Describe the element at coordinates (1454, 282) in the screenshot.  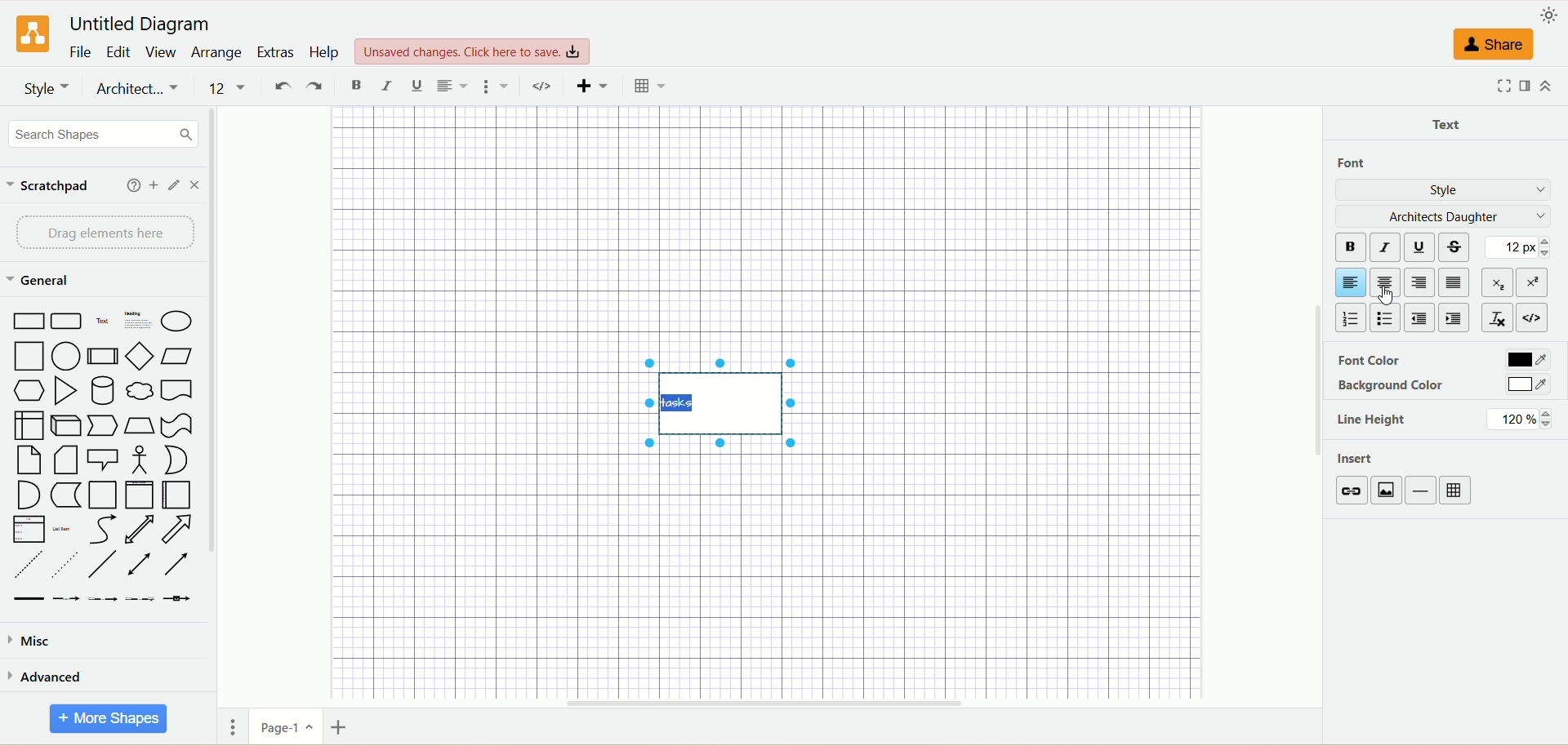
I see `block` at that location.